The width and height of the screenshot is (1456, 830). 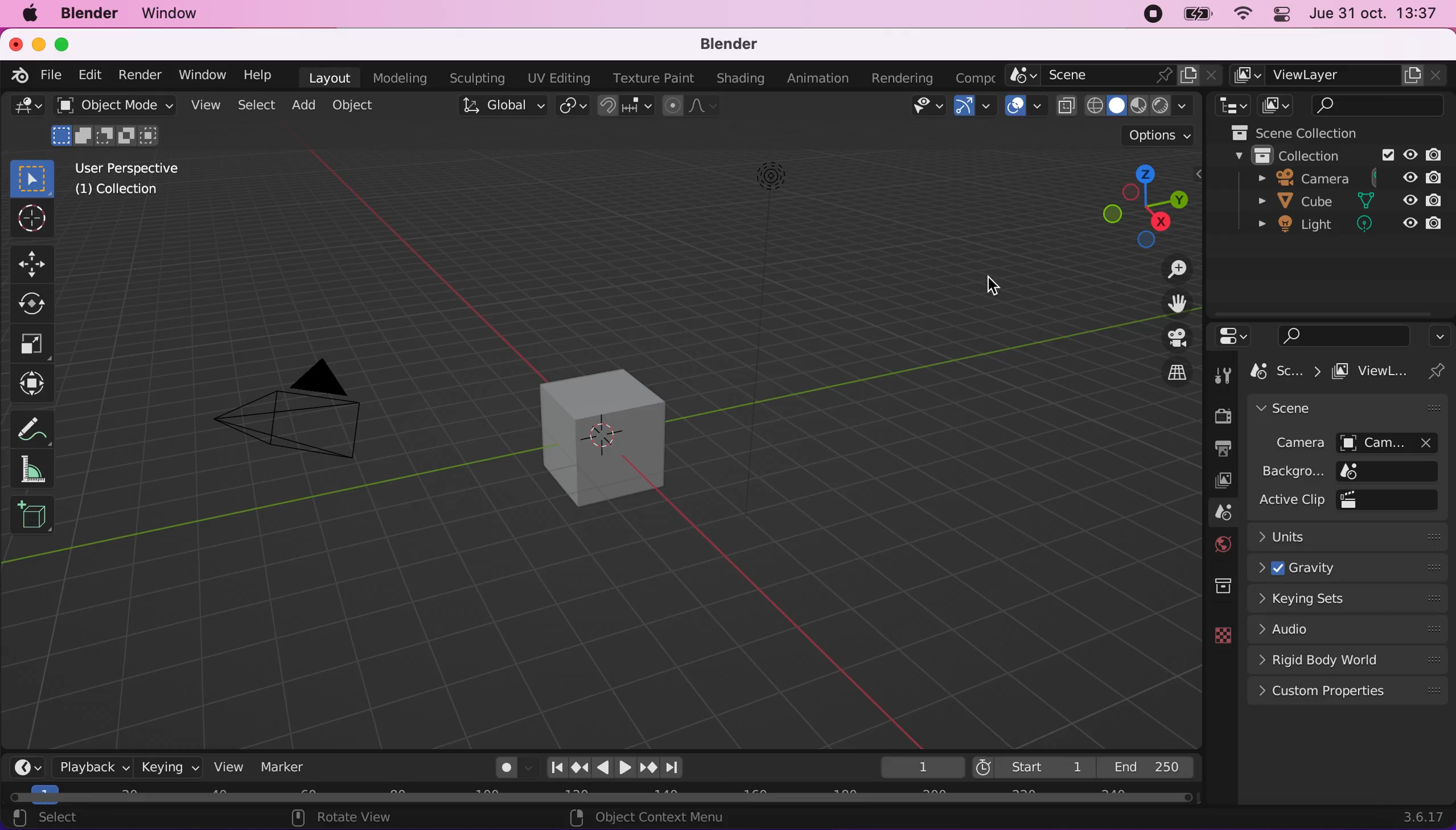 I want to click on sculpting, so click(x=478, y=77).